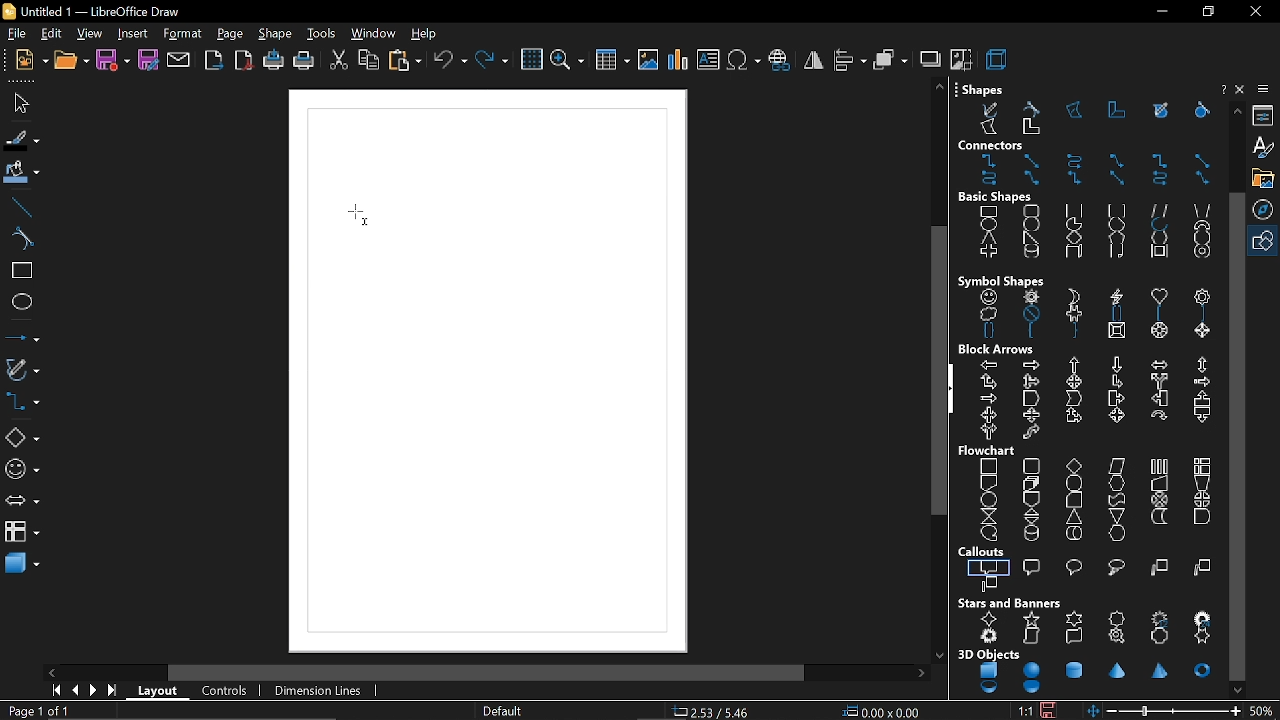 This screenshot has width=1280, height=720. Describe the element at coordinates (374, 34) in the screenshot. I see `window` at that location.